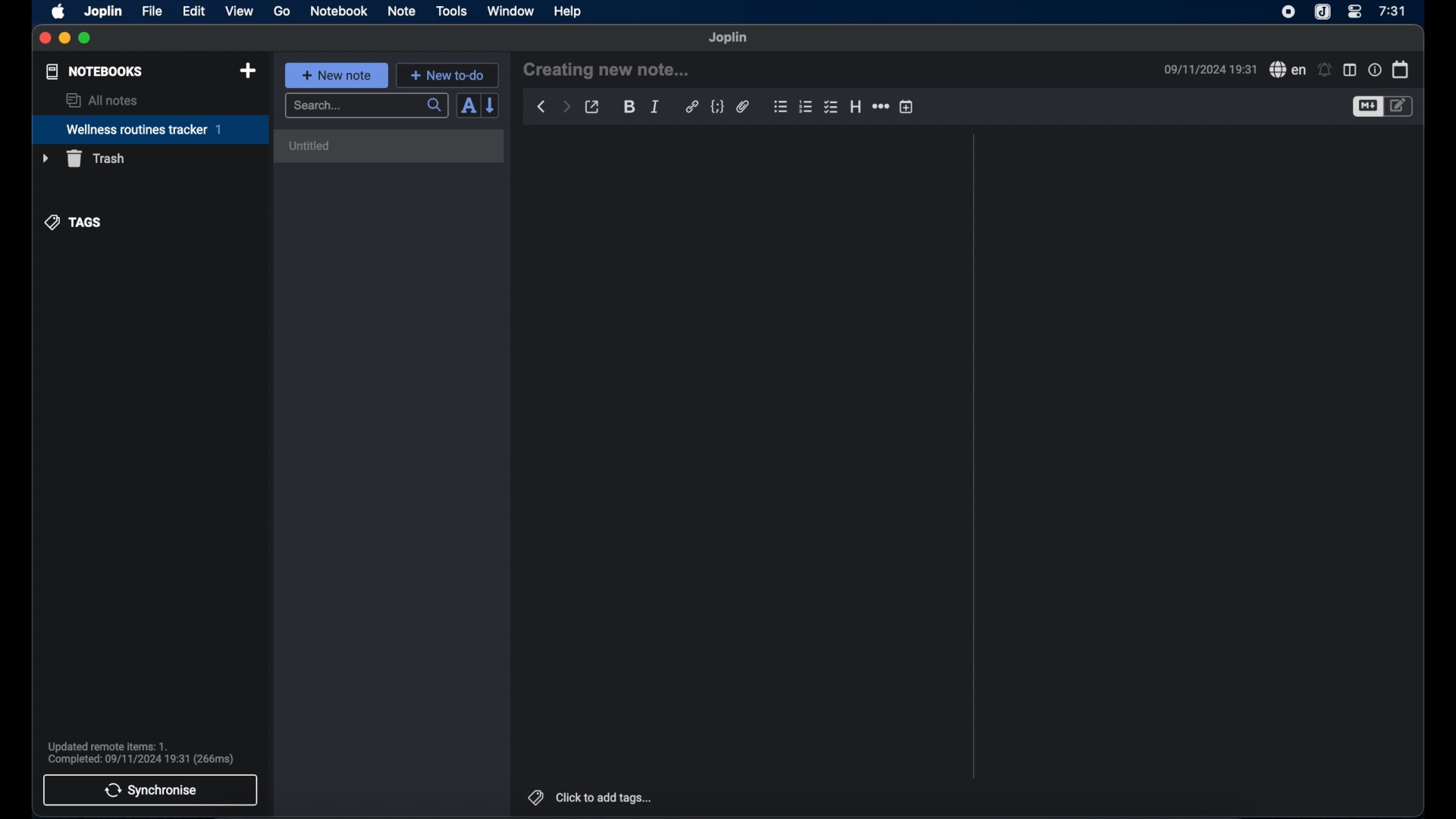  I want to click on spell check, so click(1285, 69).